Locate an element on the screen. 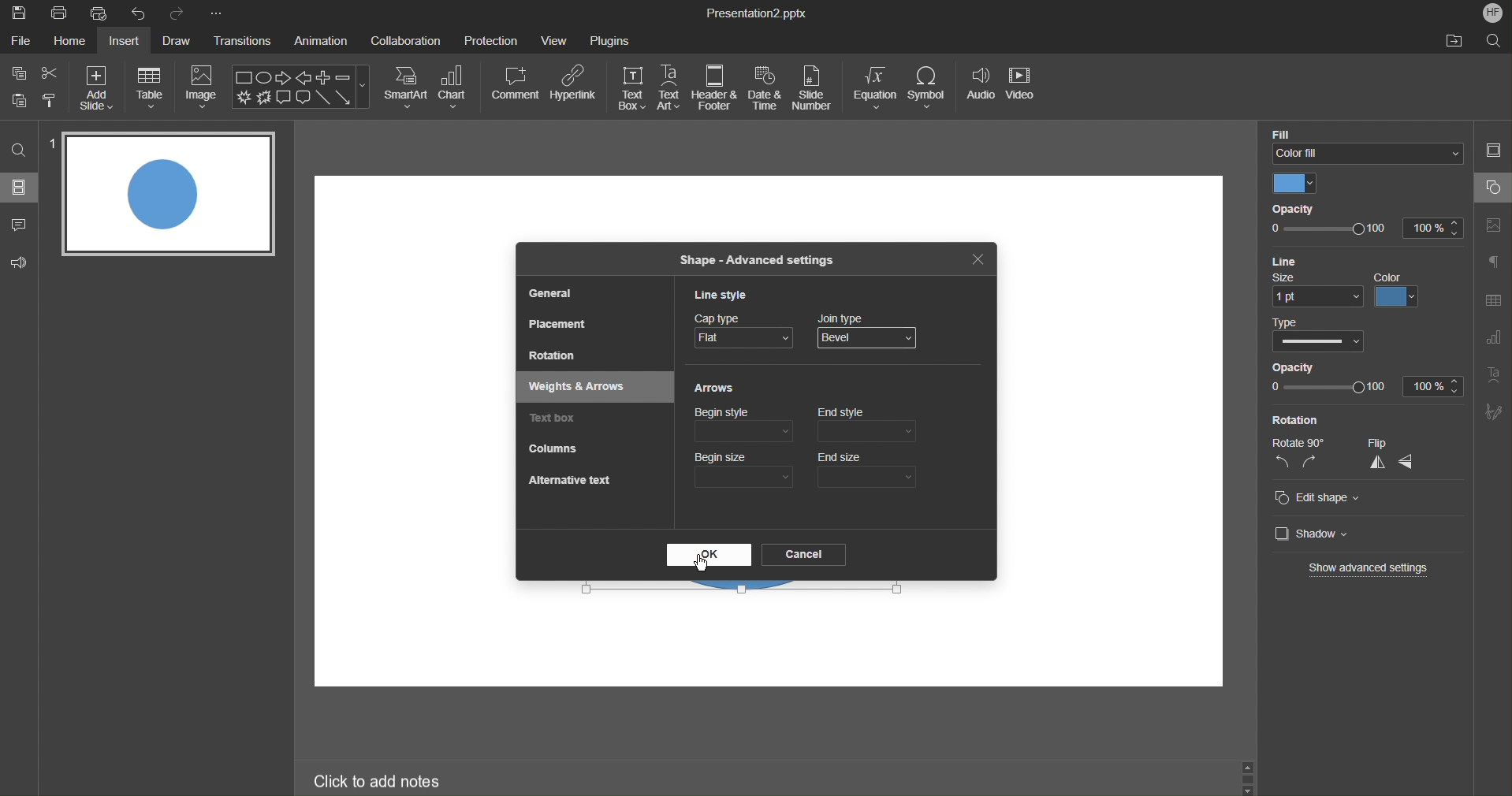  OK is located at coordinates (709, 554).